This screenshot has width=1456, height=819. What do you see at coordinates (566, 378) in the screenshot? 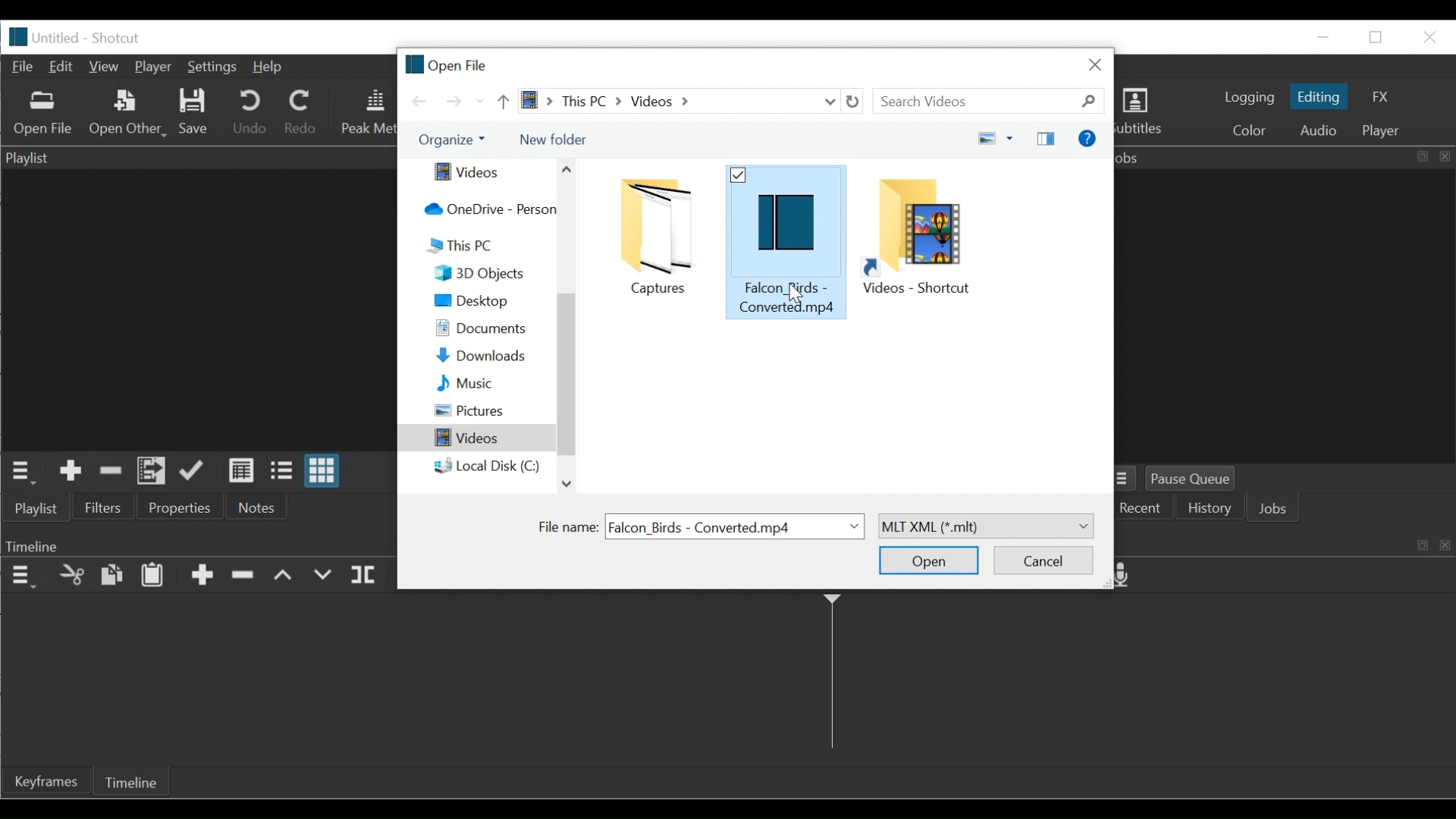
I see `Vertical Scroll bar` at bounding box center [566, 378].